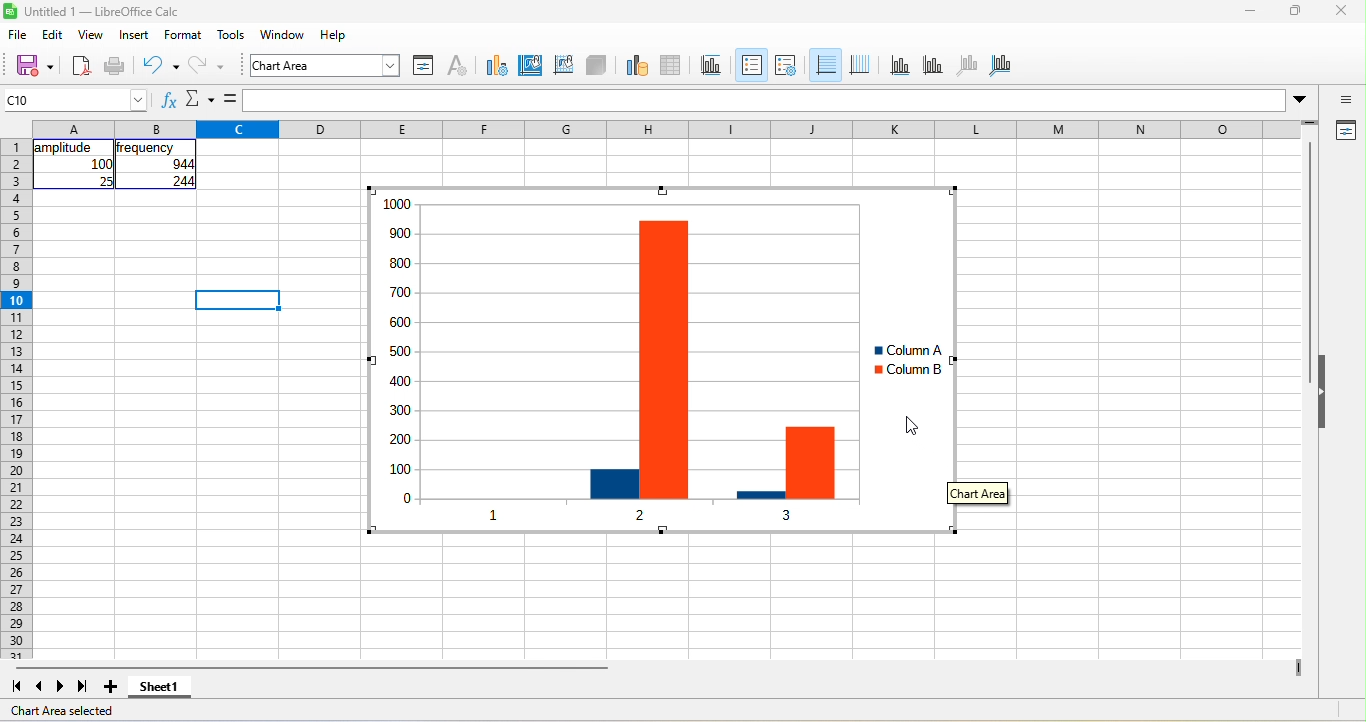  Describe the element at coordinates (1250, 10) in the screenshot. I see `minimize` at that location.